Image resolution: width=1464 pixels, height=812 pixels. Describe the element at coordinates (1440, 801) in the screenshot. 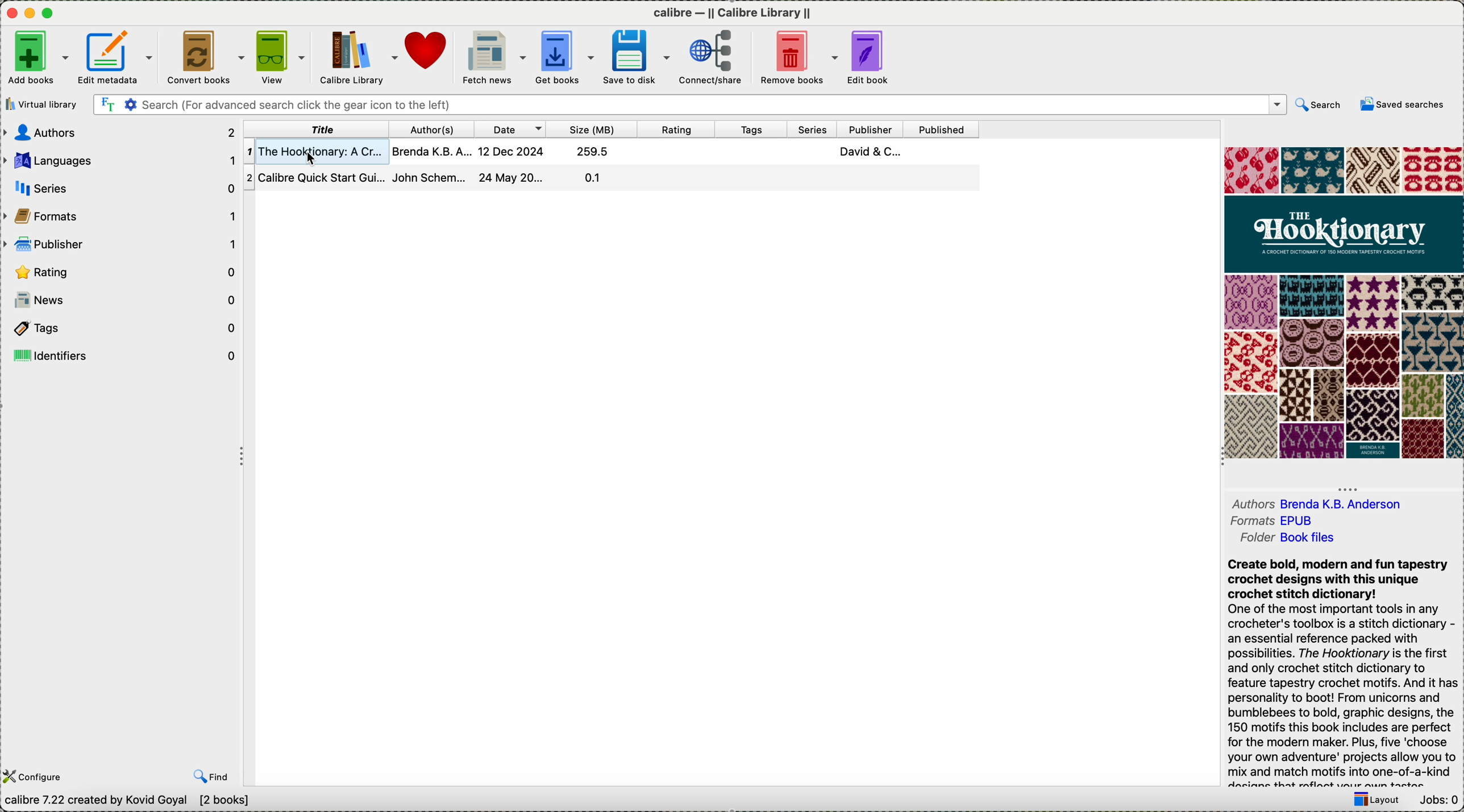

I see `Jobs: 0` at that location.